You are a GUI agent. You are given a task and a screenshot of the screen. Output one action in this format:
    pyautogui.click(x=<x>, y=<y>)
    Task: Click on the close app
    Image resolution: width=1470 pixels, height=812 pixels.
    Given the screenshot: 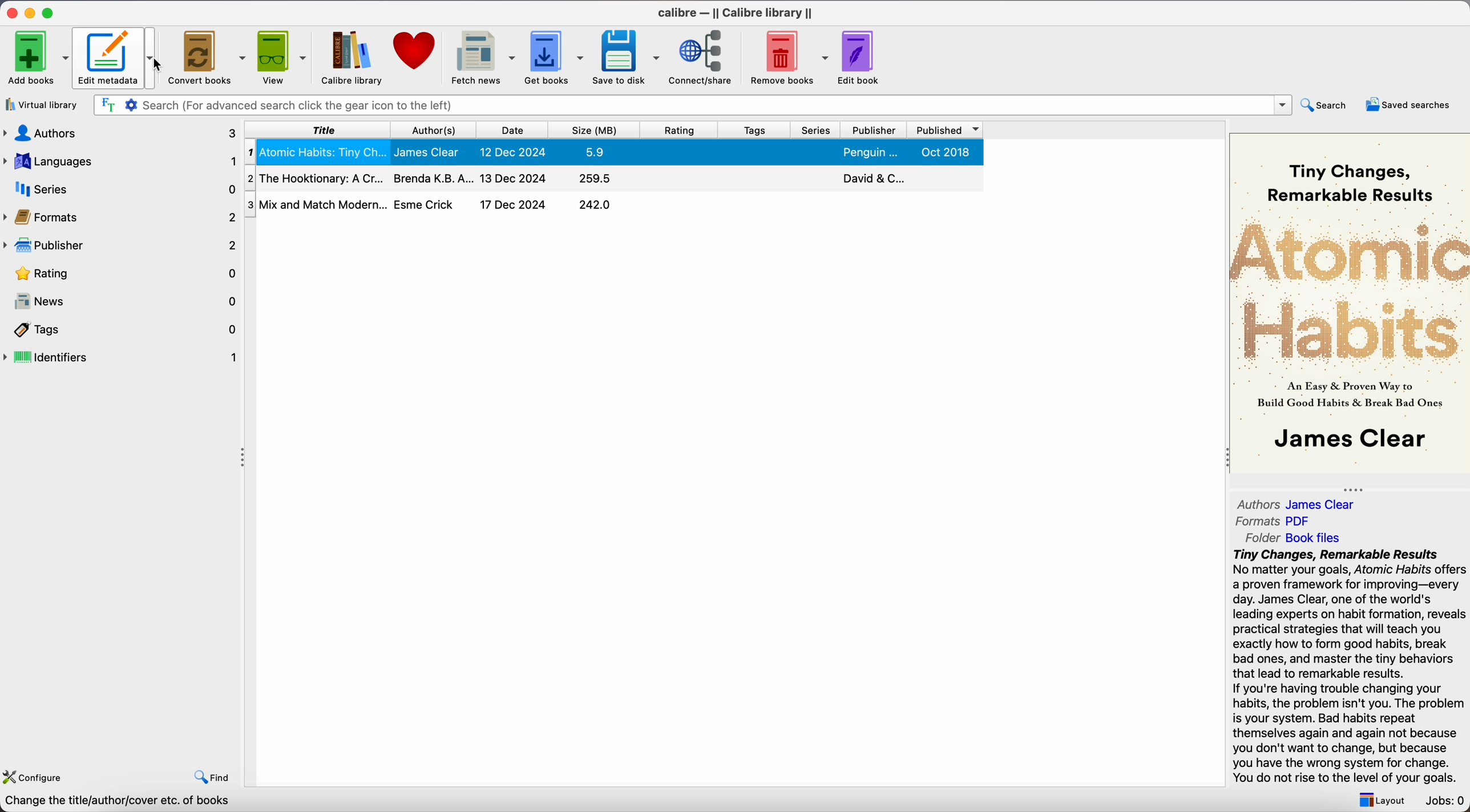 What is the action you would take?
    pyautogui.click(x=12, y=13)
    